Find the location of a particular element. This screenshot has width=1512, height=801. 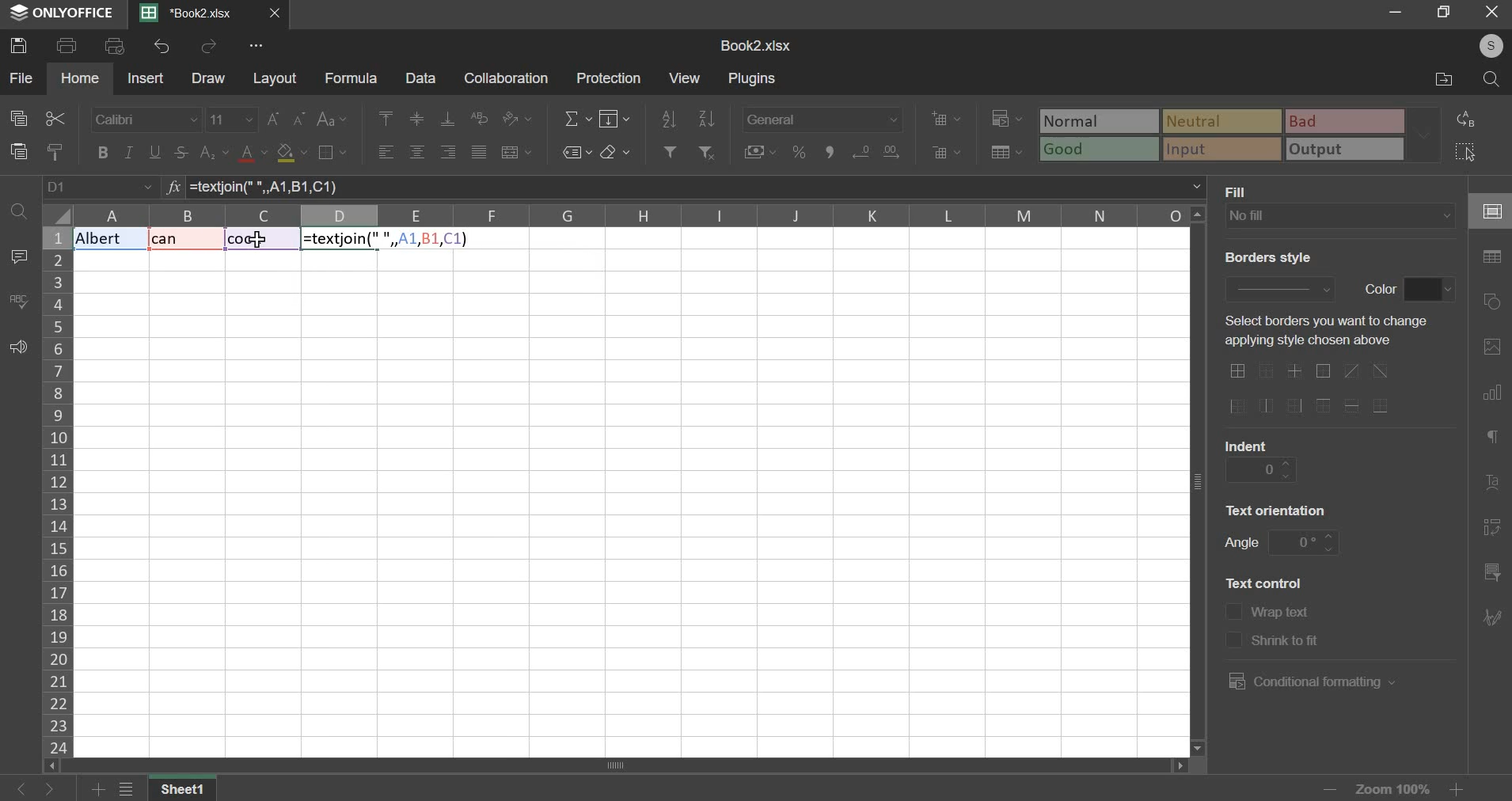

sort descending is located at coordinates (706, 118).